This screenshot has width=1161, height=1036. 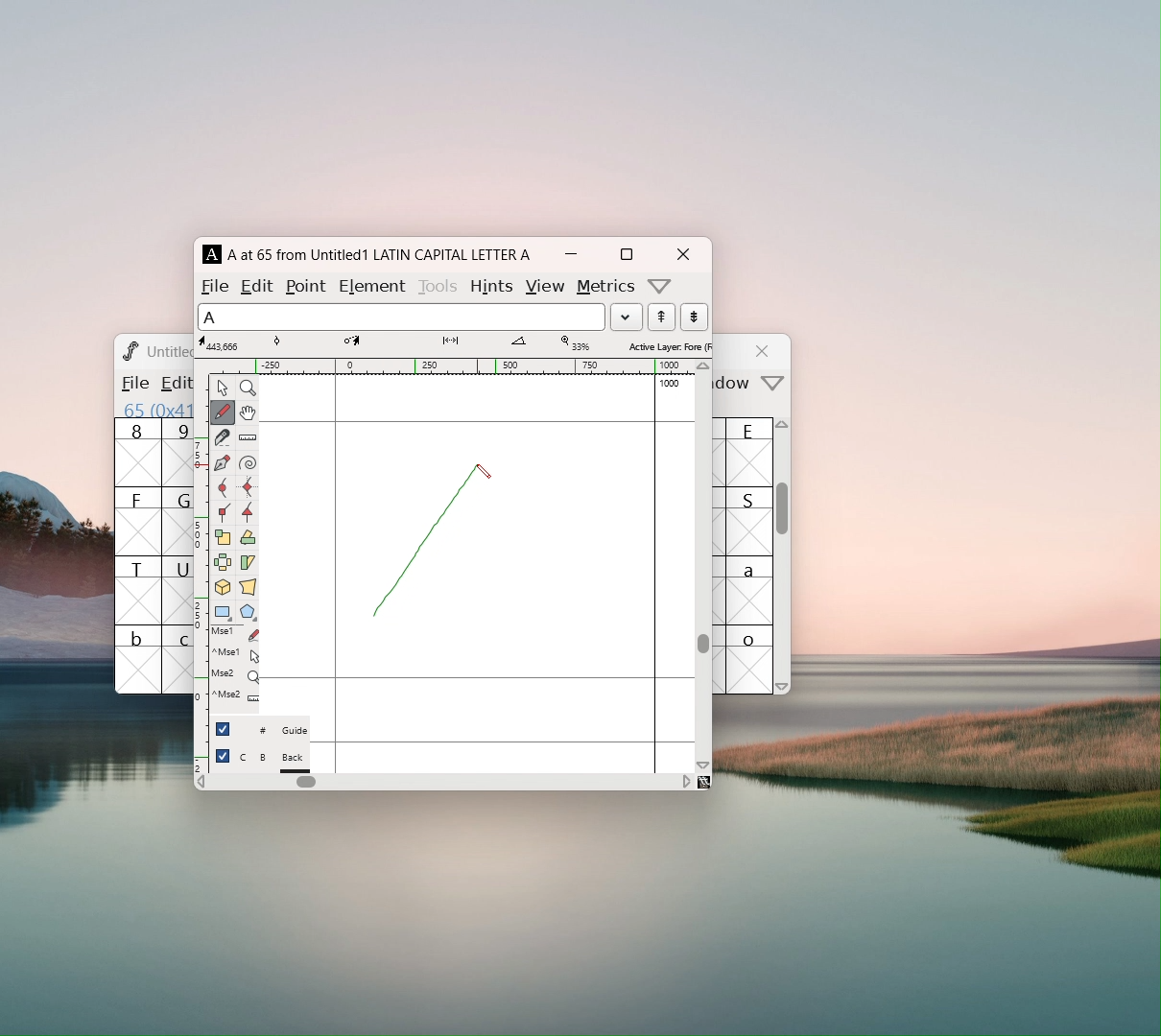 I want to click on horizontal scrollbar, so click(x=306, y=782).